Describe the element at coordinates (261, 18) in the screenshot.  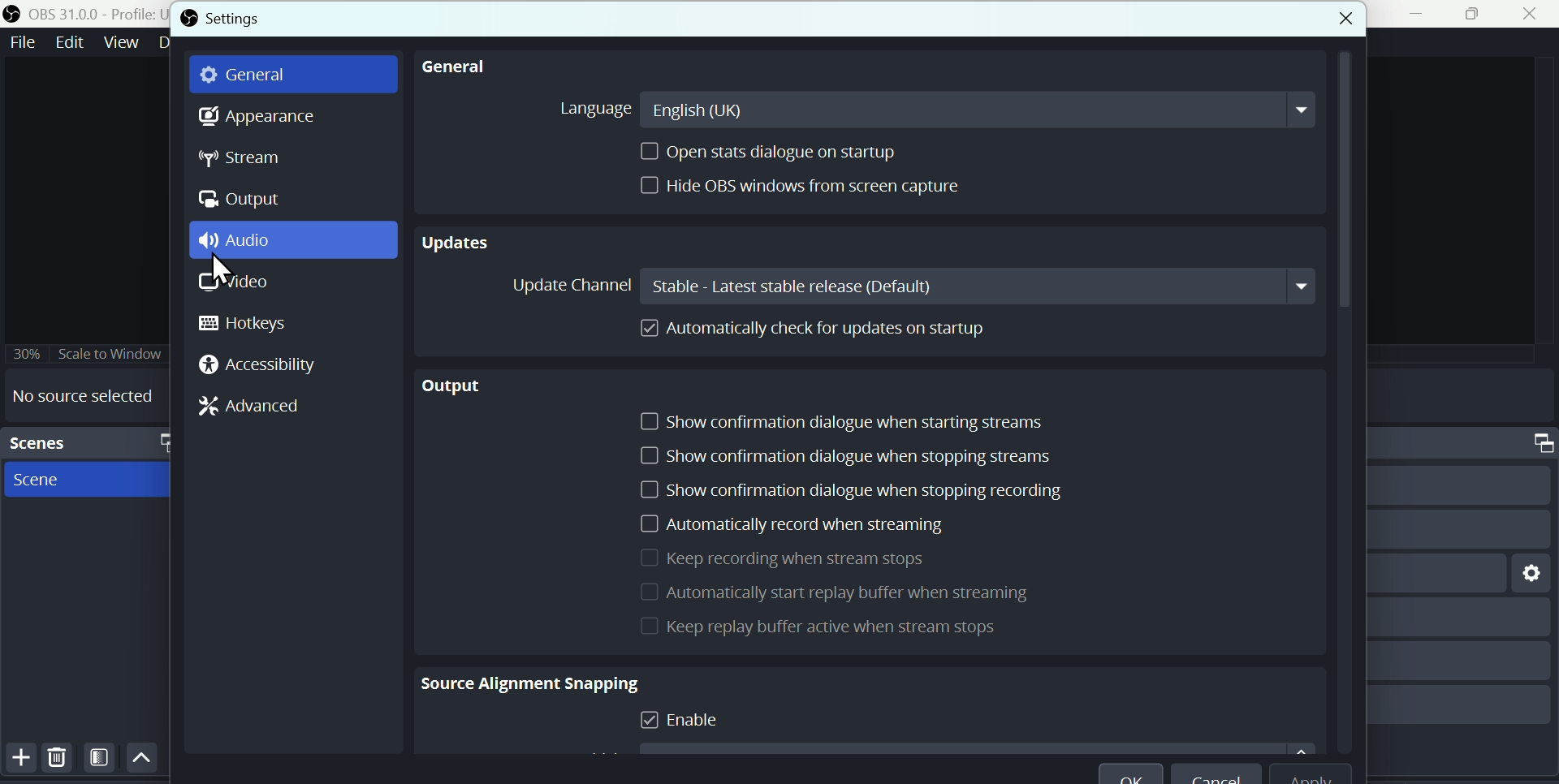
I see `Settings` at that location.